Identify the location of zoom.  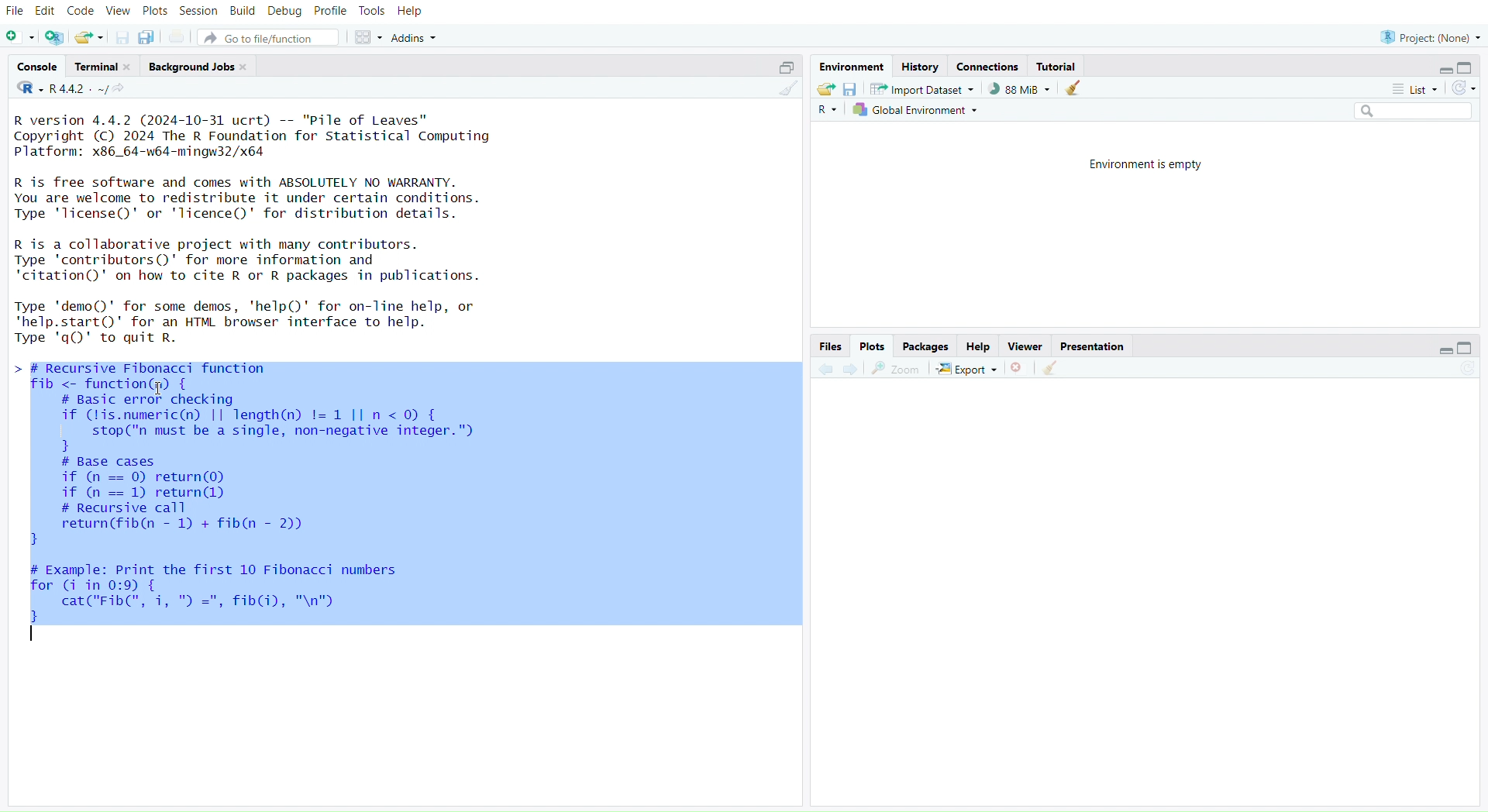
(897, 370).